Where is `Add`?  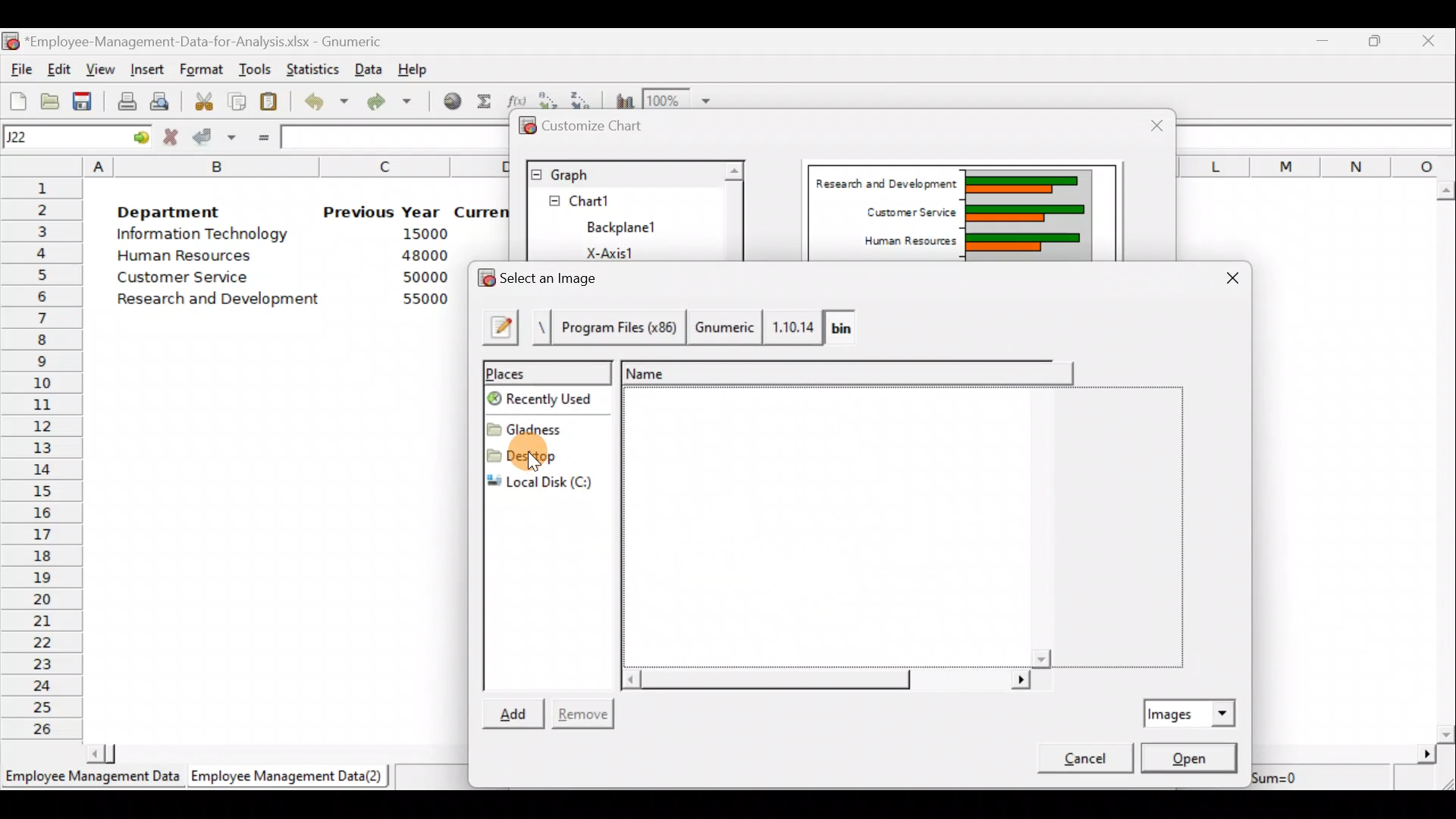 Add is located at coordinates (517, 711).